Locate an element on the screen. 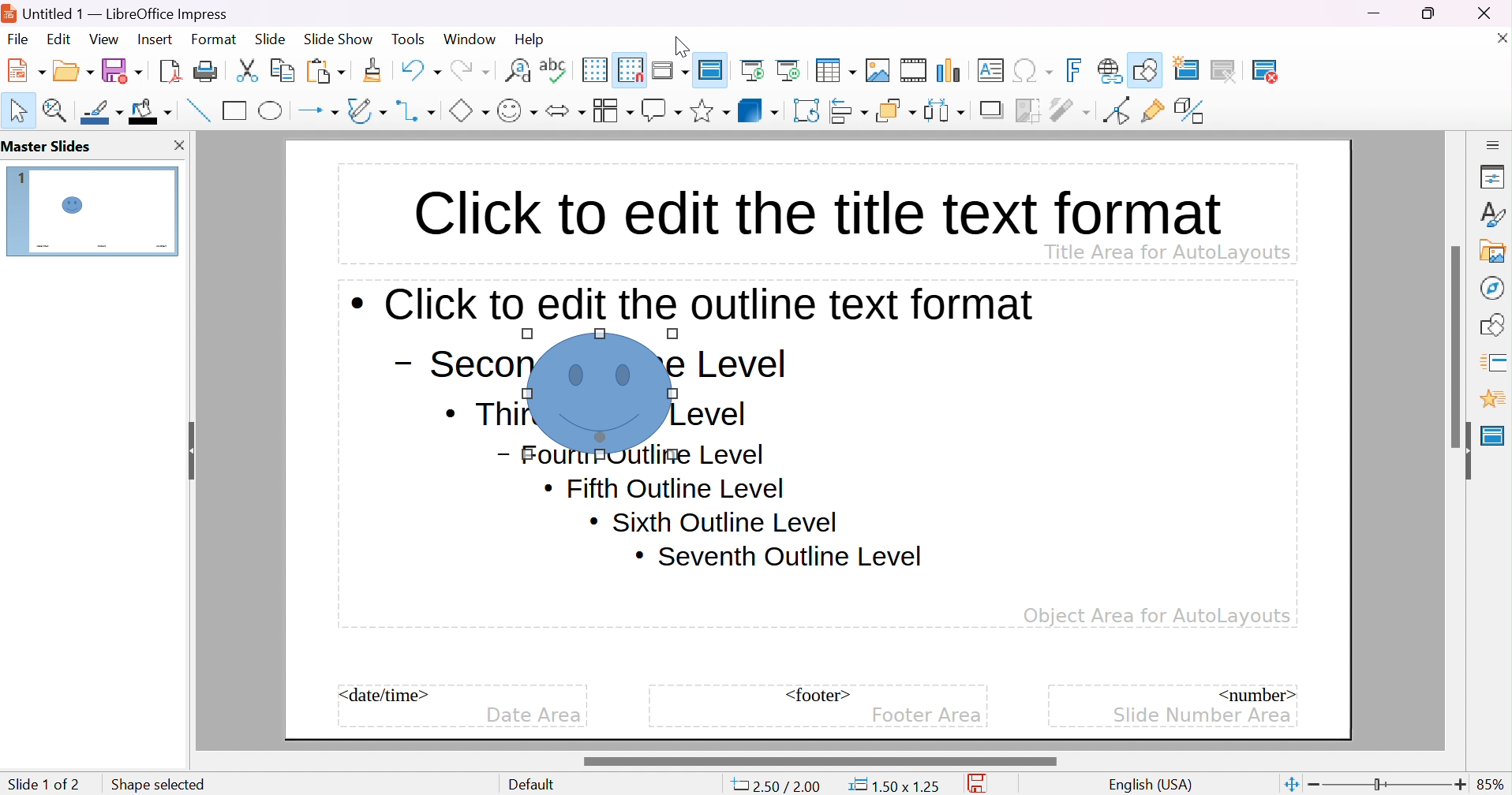  untitled 1 - LibreOffice Impress is located at coordinates (120, 12).